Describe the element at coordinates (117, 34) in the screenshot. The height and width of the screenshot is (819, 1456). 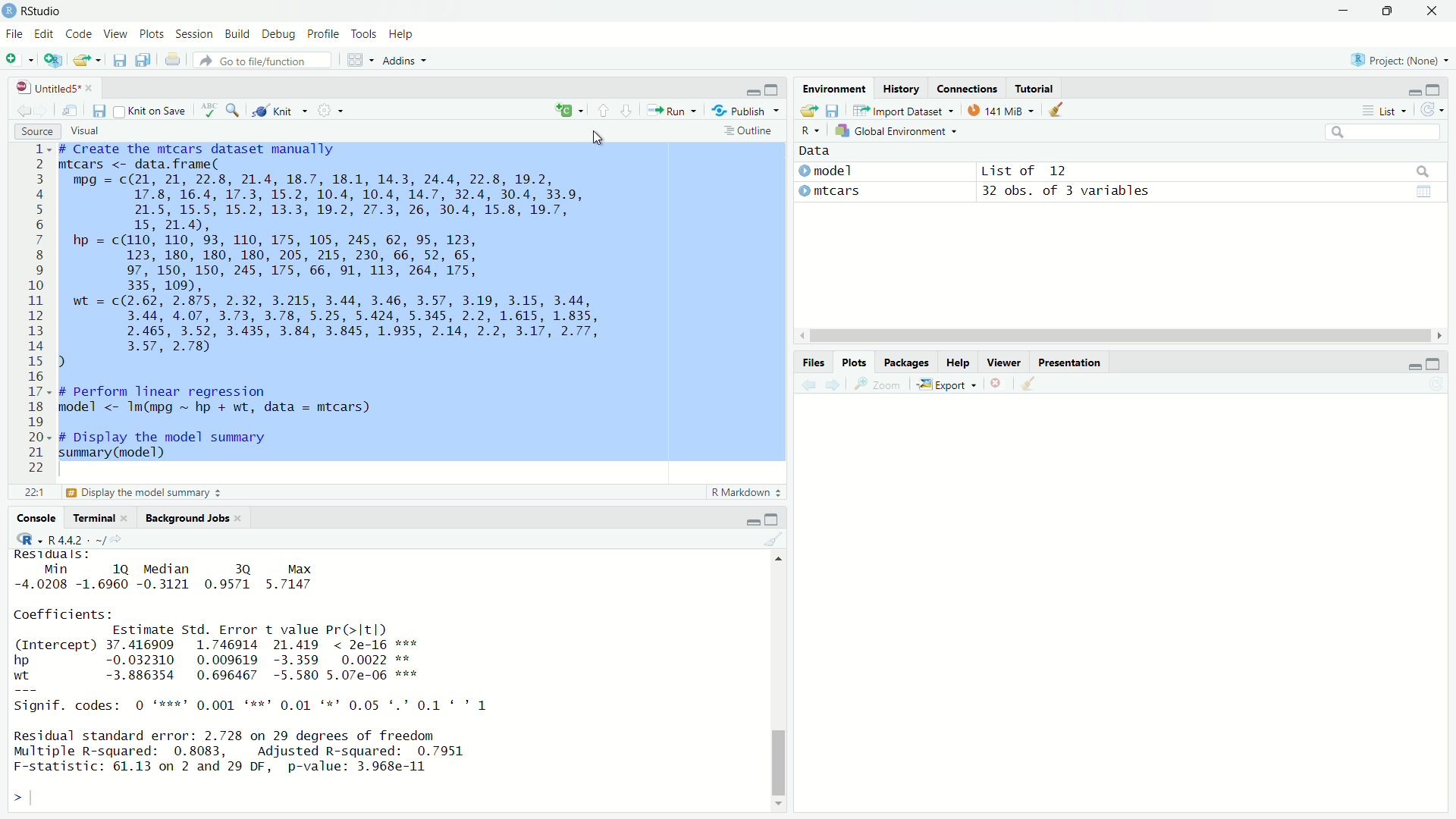
I see `view` at that location.